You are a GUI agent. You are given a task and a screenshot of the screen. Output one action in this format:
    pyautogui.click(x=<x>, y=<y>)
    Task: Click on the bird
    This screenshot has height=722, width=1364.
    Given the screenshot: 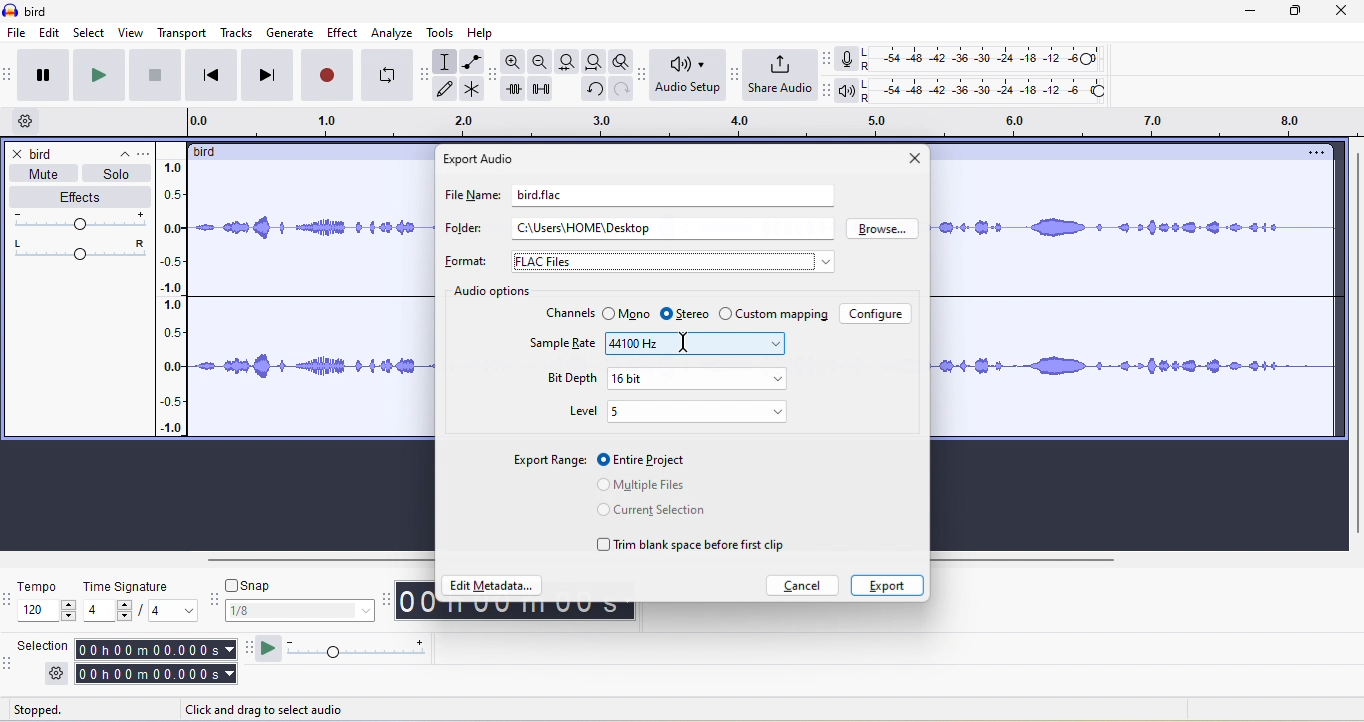 What is the action you would take?
    pyautogui.click(x=45, y=155)
    